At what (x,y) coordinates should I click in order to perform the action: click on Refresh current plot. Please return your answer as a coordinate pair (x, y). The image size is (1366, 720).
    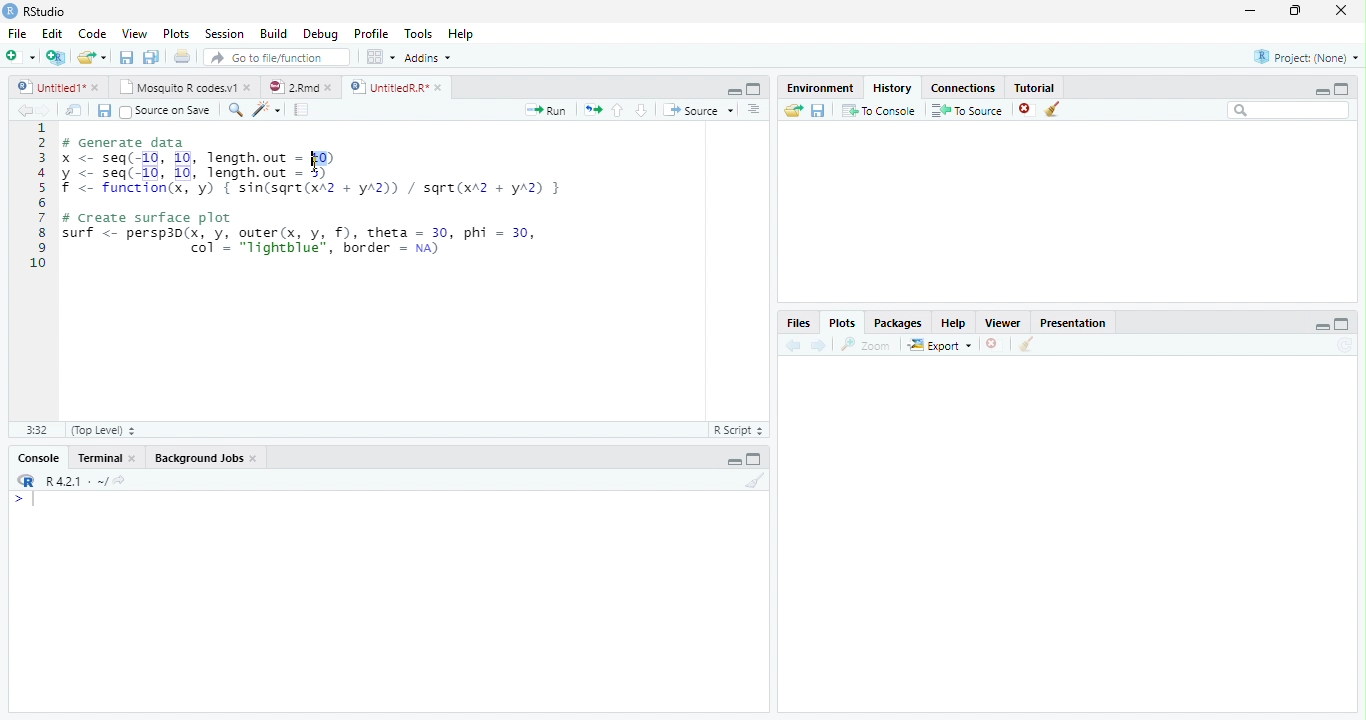
    Looking at the image, I should click on (1347, 345).